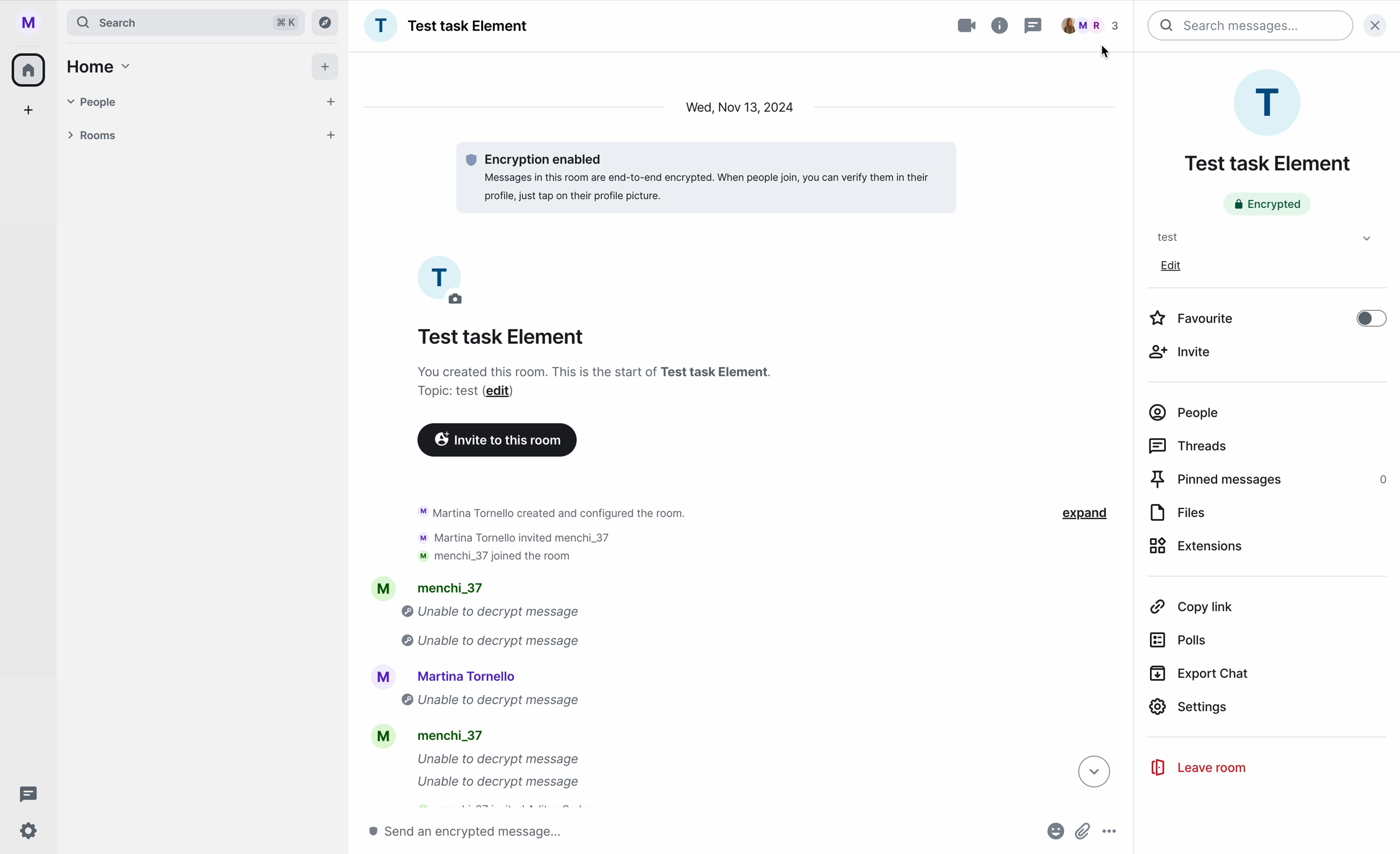 This screenshot has width=1400, height=854. Describe the element at coordinates (29, 110) in the screenshot. I see `add` at that location.